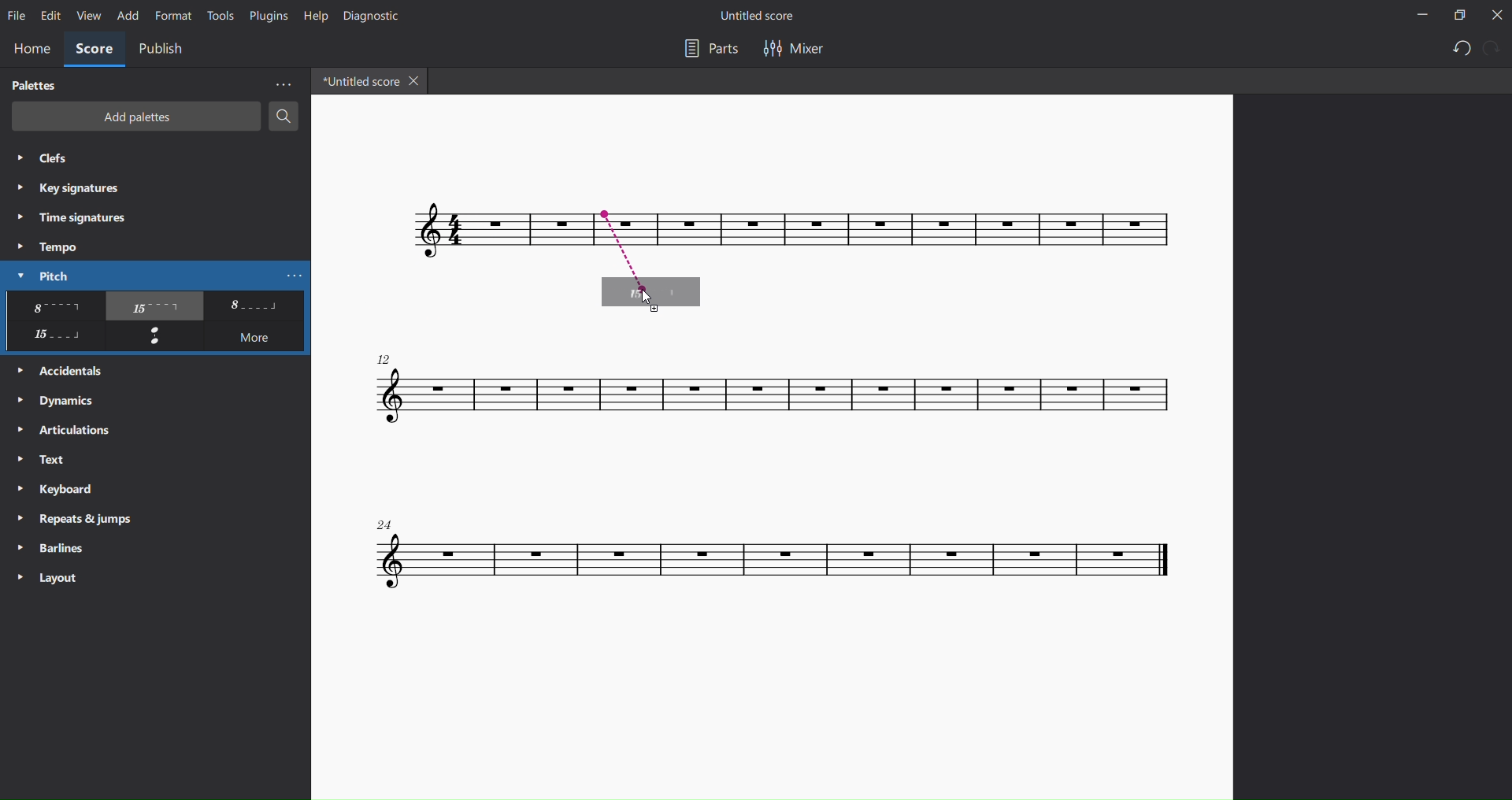  Describe the element at coordinates (48, 461) in the screenshot. I see `text` at that location.